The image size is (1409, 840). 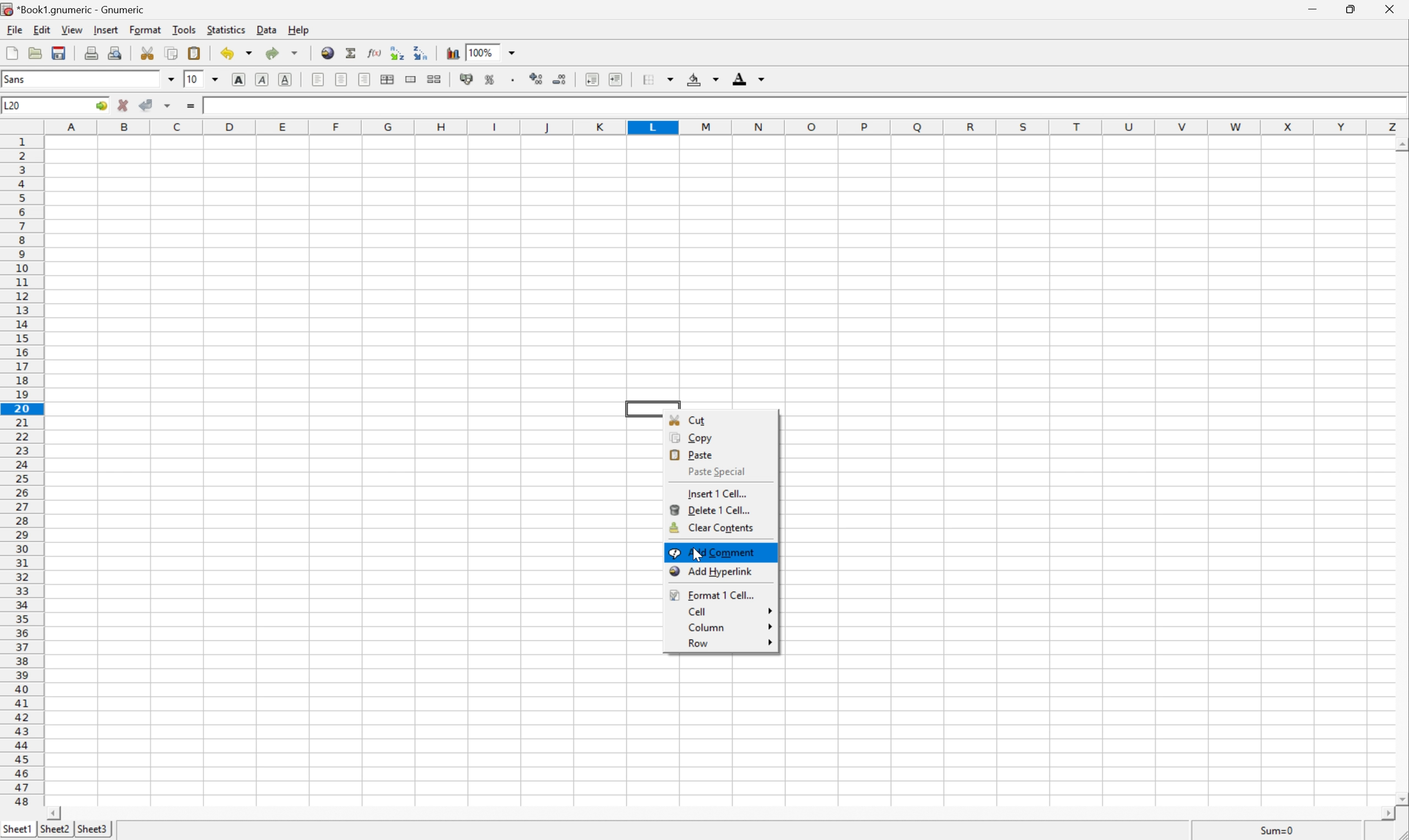 What do you see at coordinates (711, 572) in the screenshot?
I see `Add Hyperlink` at bounding box center [711, 572].